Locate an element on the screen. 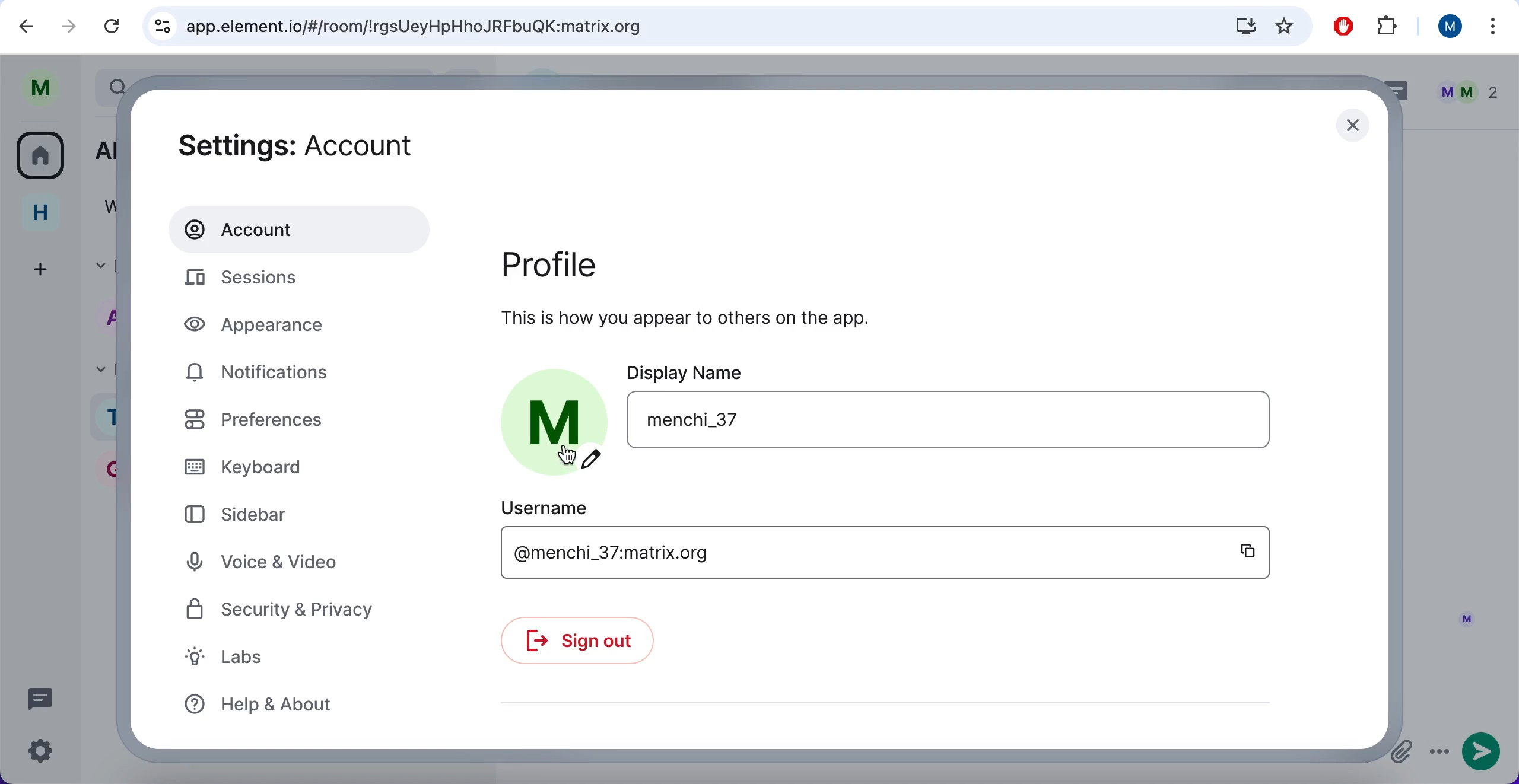 The height and width of the screenshot is (784, 1519). attachments is located at coordinates (1401, 753).